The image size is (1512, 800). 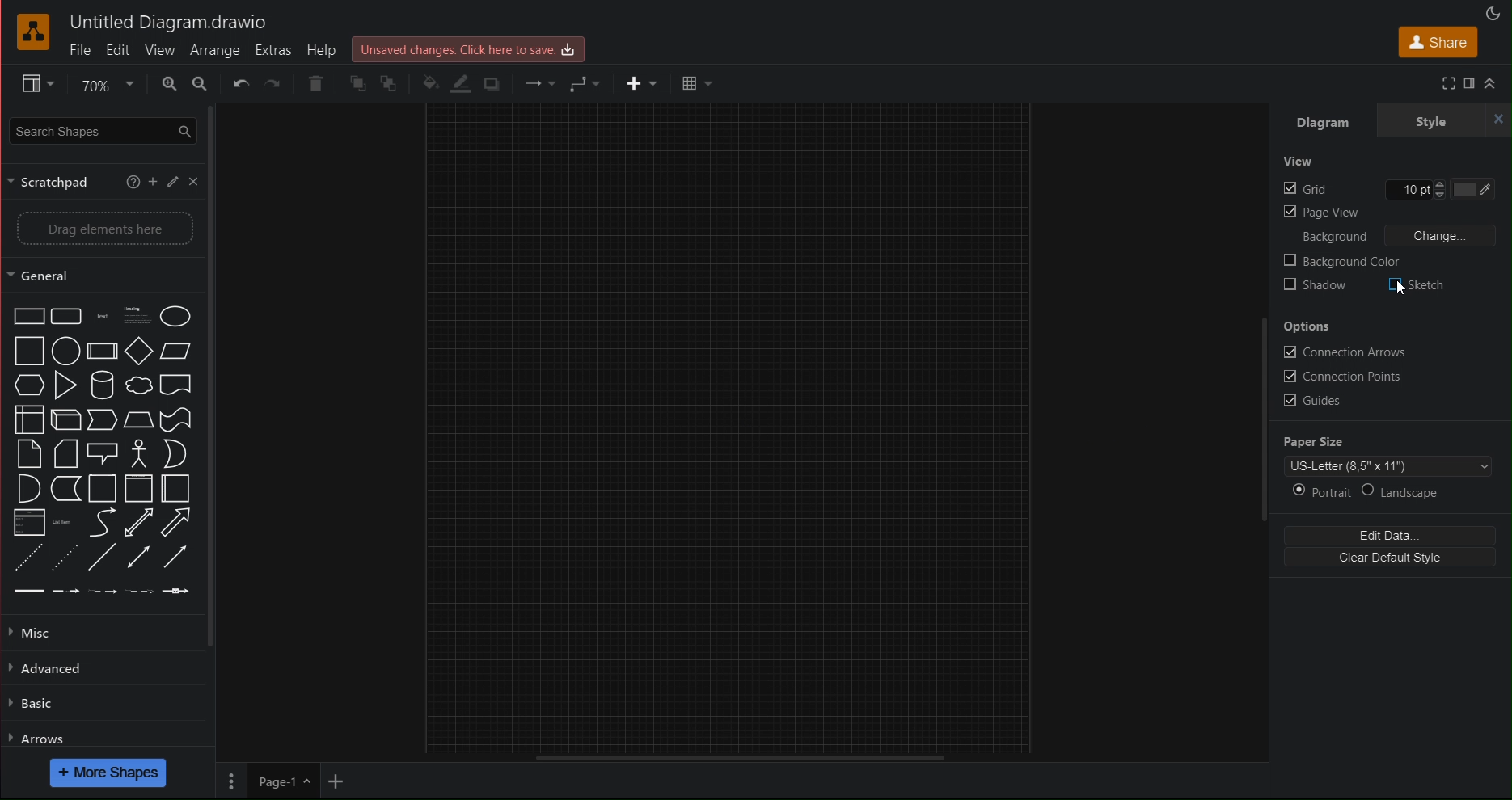 I want to click on internal storage, so click(x=28, y=419).